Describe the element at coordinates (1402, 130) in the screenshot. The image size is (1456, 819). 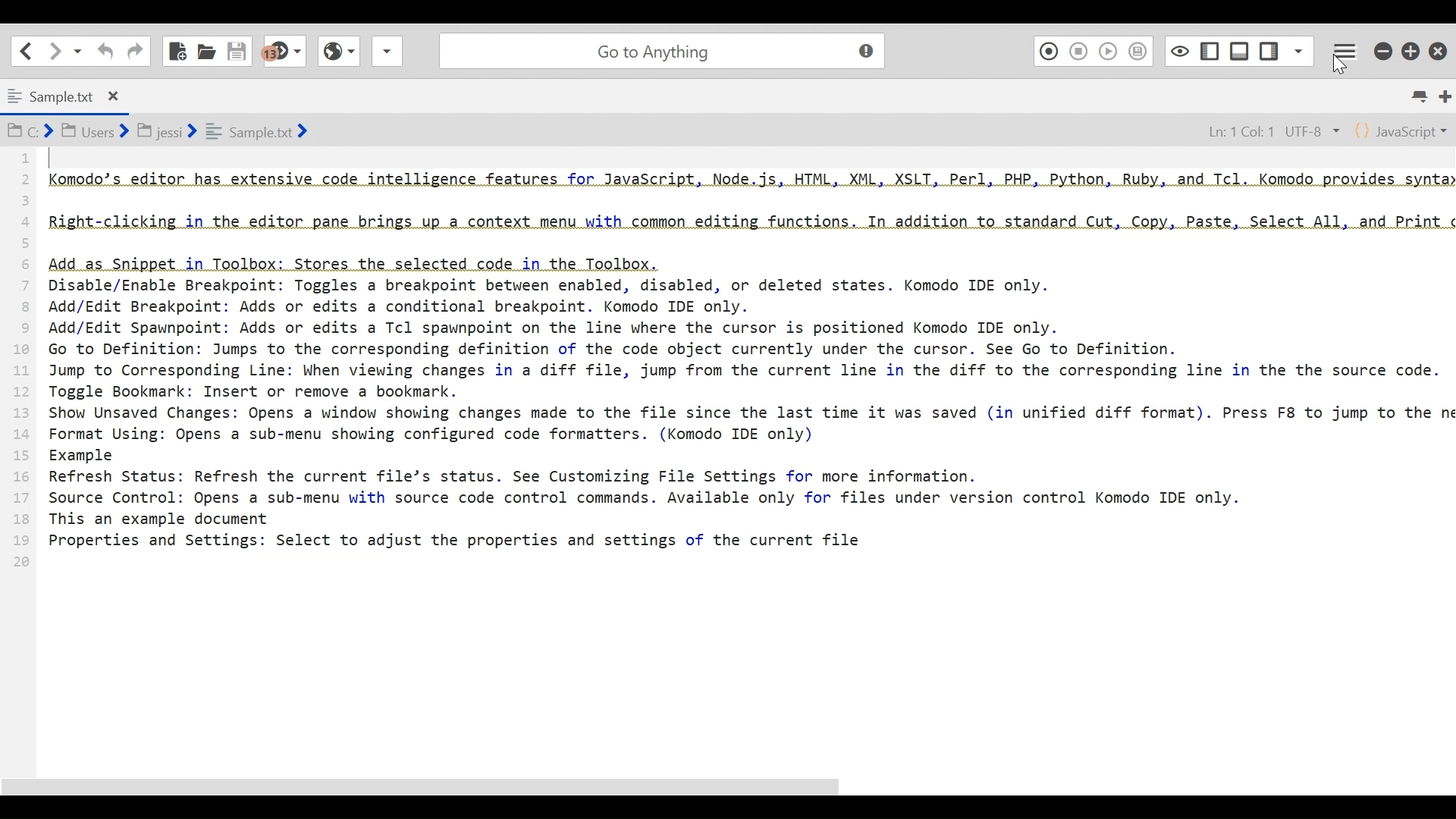
I see `File Type` at that location.